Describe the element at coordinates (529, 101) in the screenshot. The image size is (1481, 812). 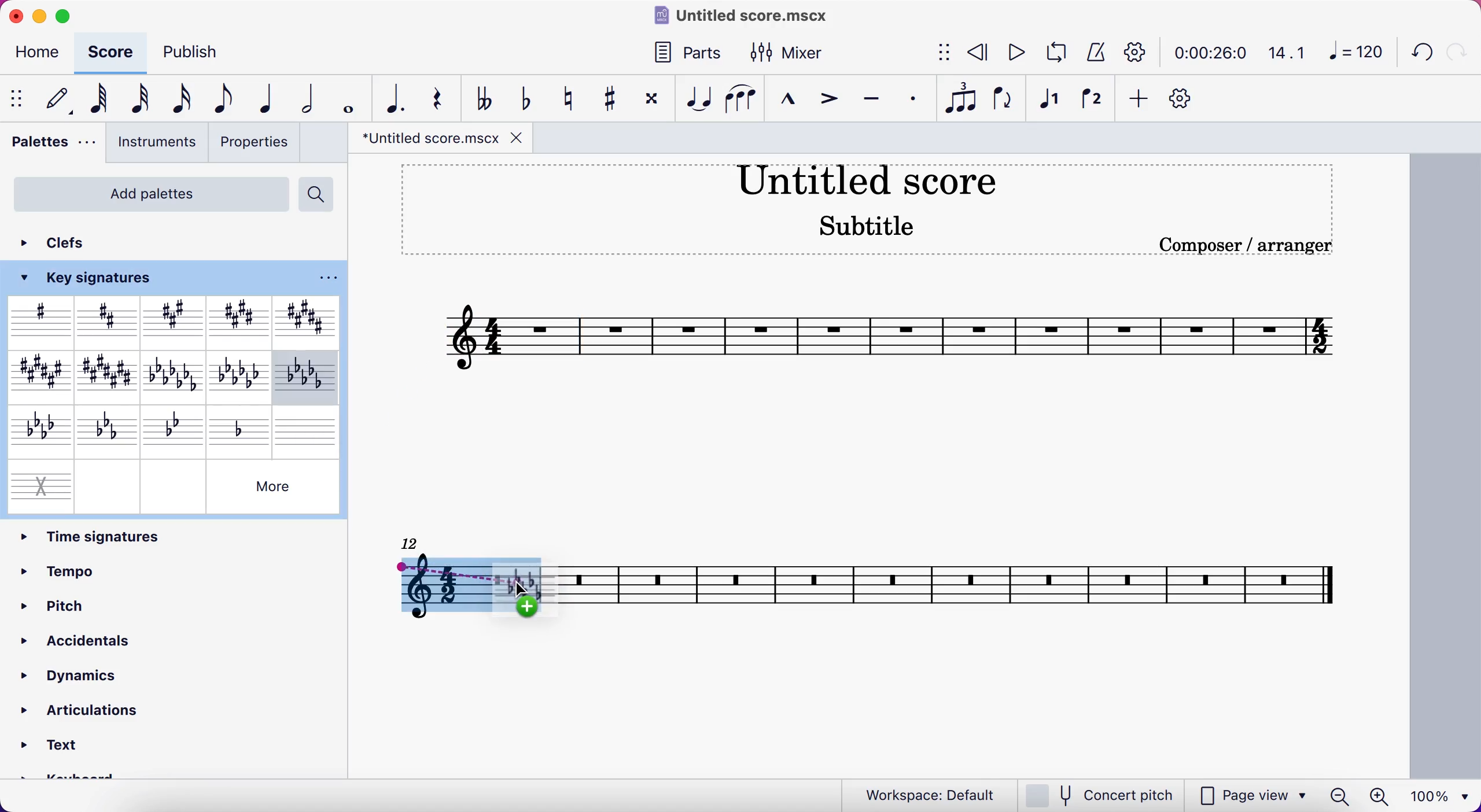
I see `toggle flat` at that location.